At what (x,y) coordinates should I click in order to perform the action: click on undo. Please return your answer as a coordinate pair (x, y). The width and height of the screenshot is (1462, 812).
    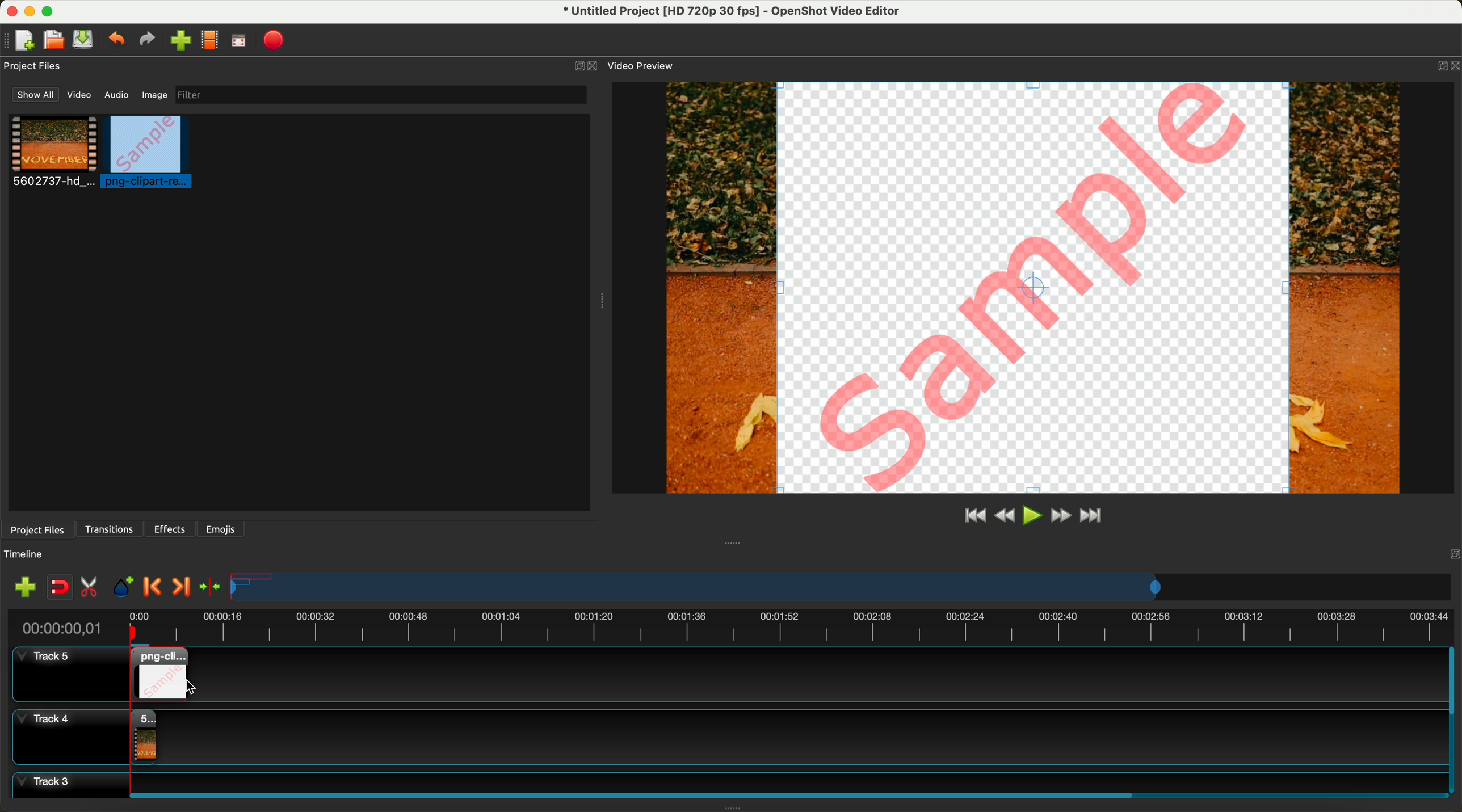
    Looking at the image, I should click on (118, 41).